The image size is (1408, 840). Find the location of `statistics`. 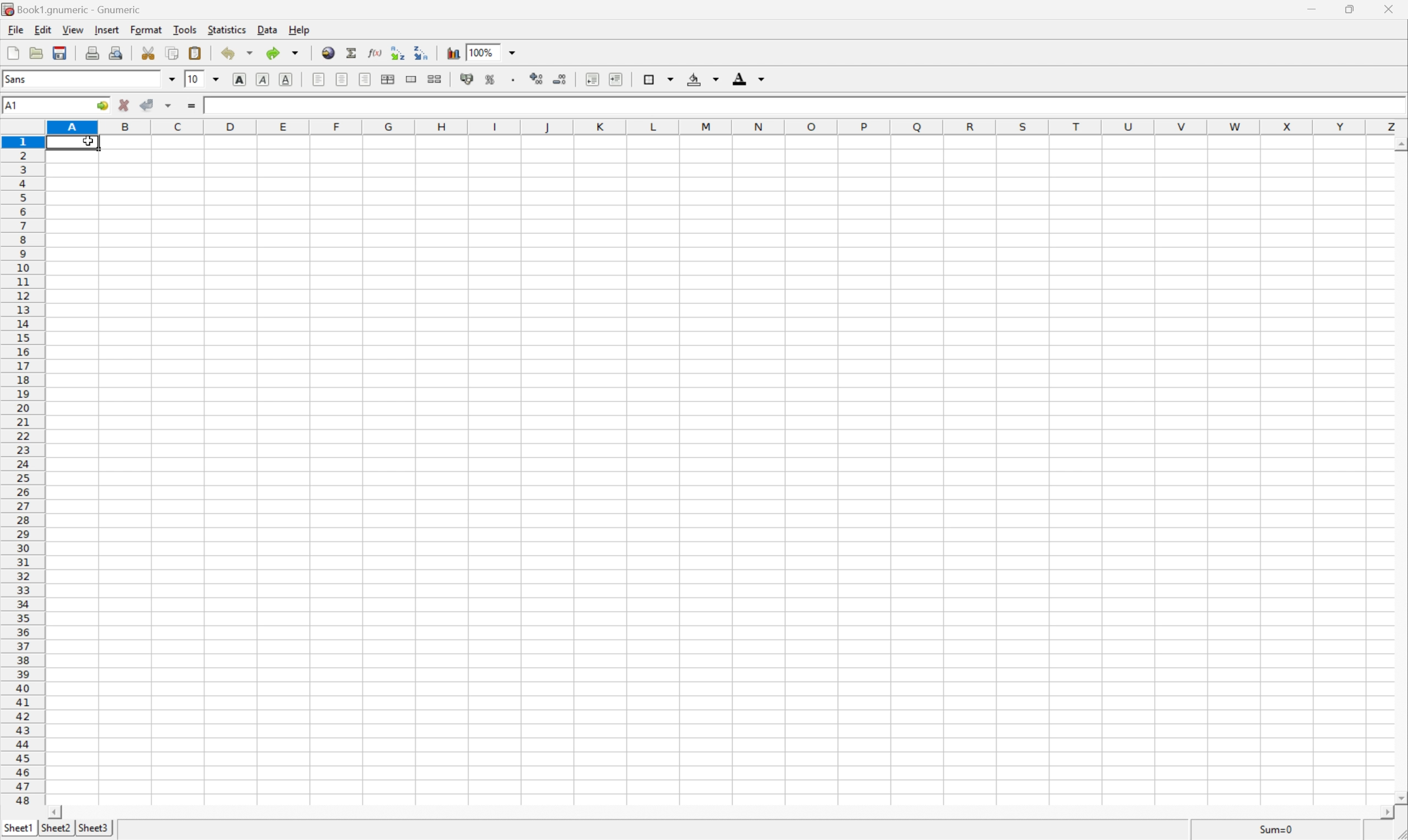

statistics is located at coordinates (227, 31).